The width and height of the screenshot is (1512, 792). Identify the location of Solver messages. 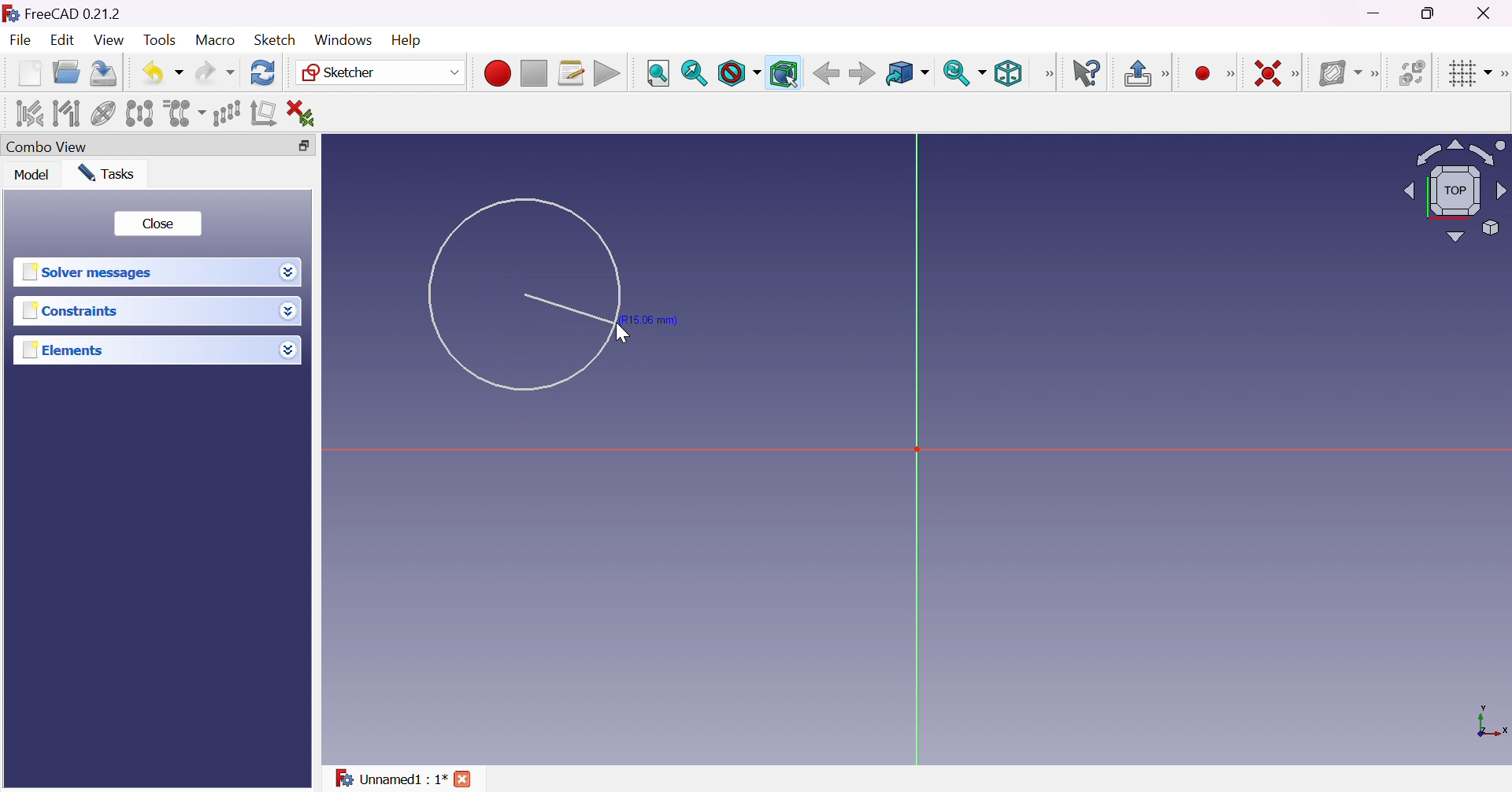
(87, 272).